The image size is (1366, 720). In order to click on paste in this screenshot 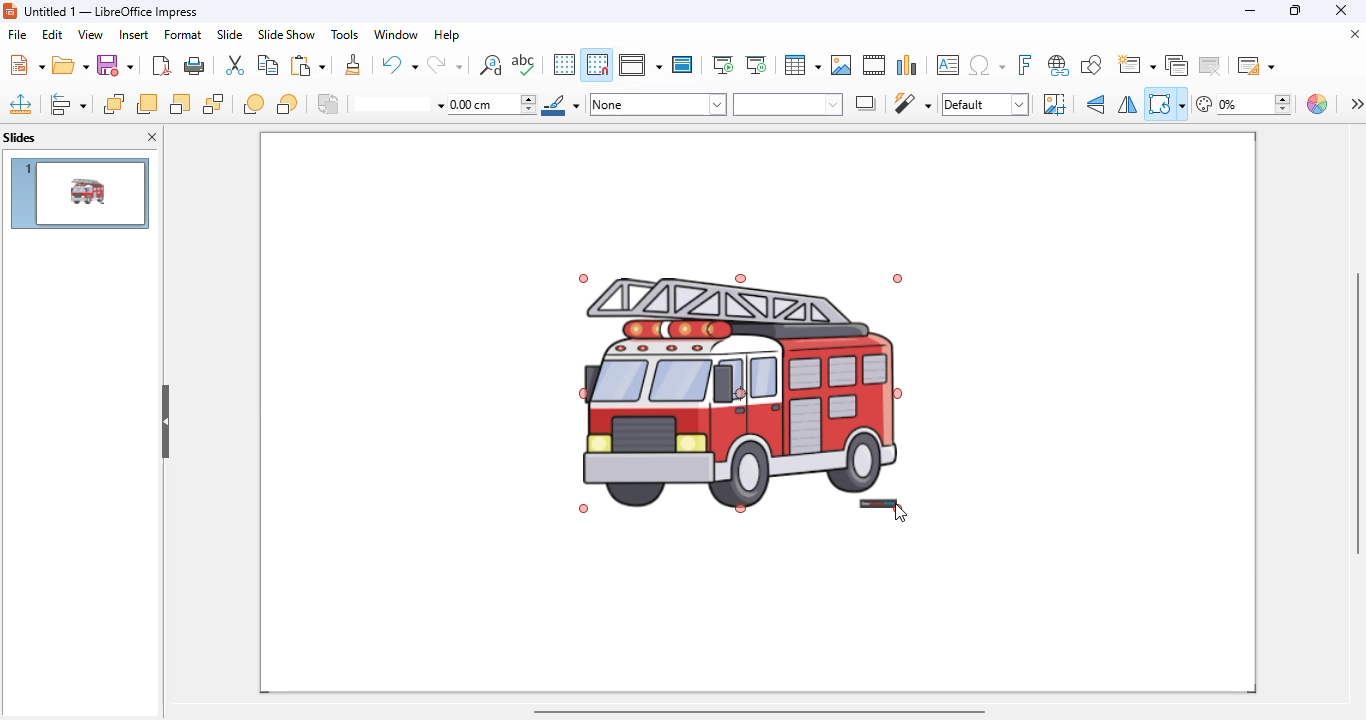, I will do `click(307, 64)`.